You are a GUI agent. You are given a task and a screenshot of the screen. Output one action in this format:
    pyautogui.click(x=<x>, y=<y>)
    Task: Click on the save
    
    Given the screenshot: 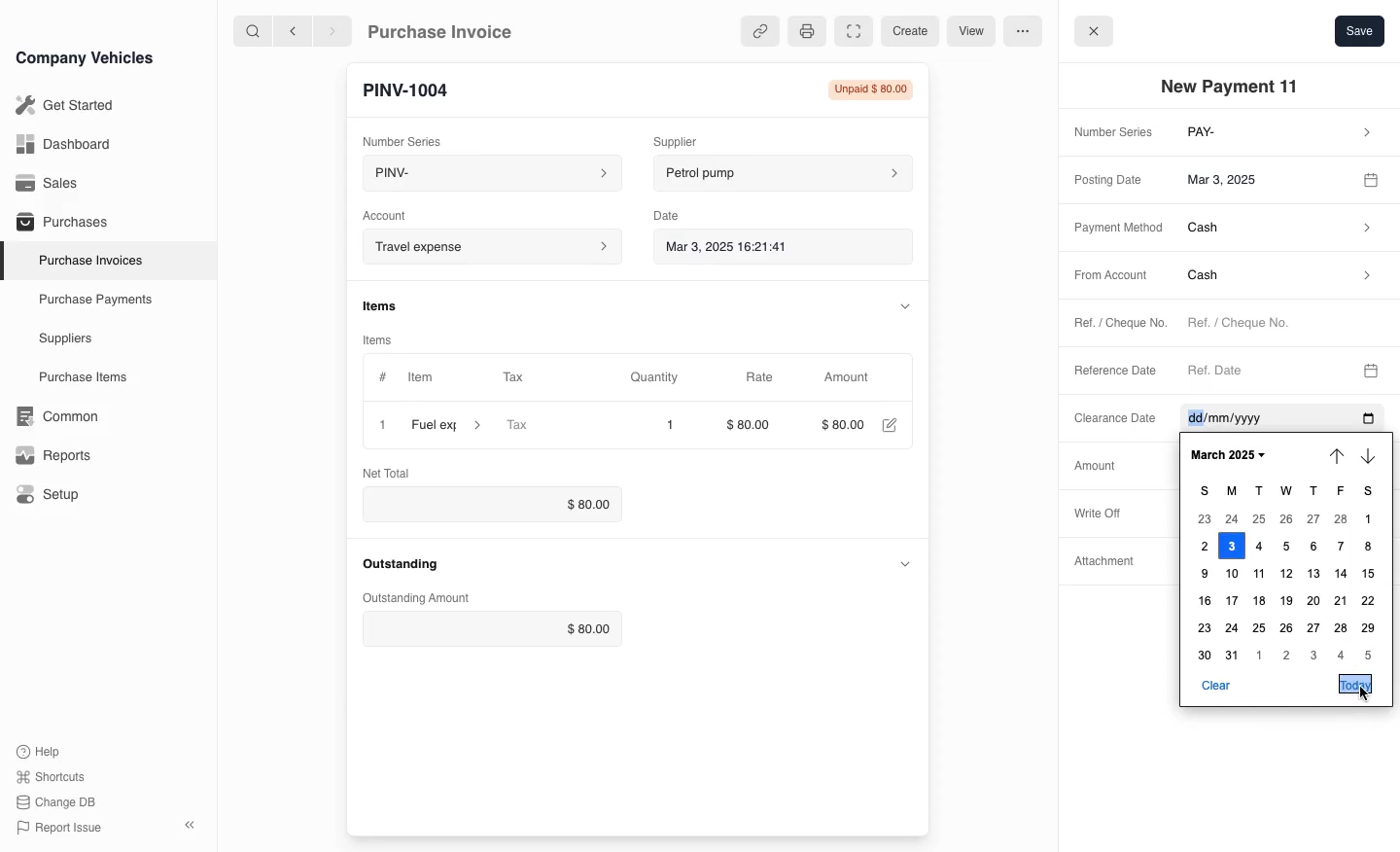 What is the action you would take?
    pyautogui.click(x=1359, y=30)
    